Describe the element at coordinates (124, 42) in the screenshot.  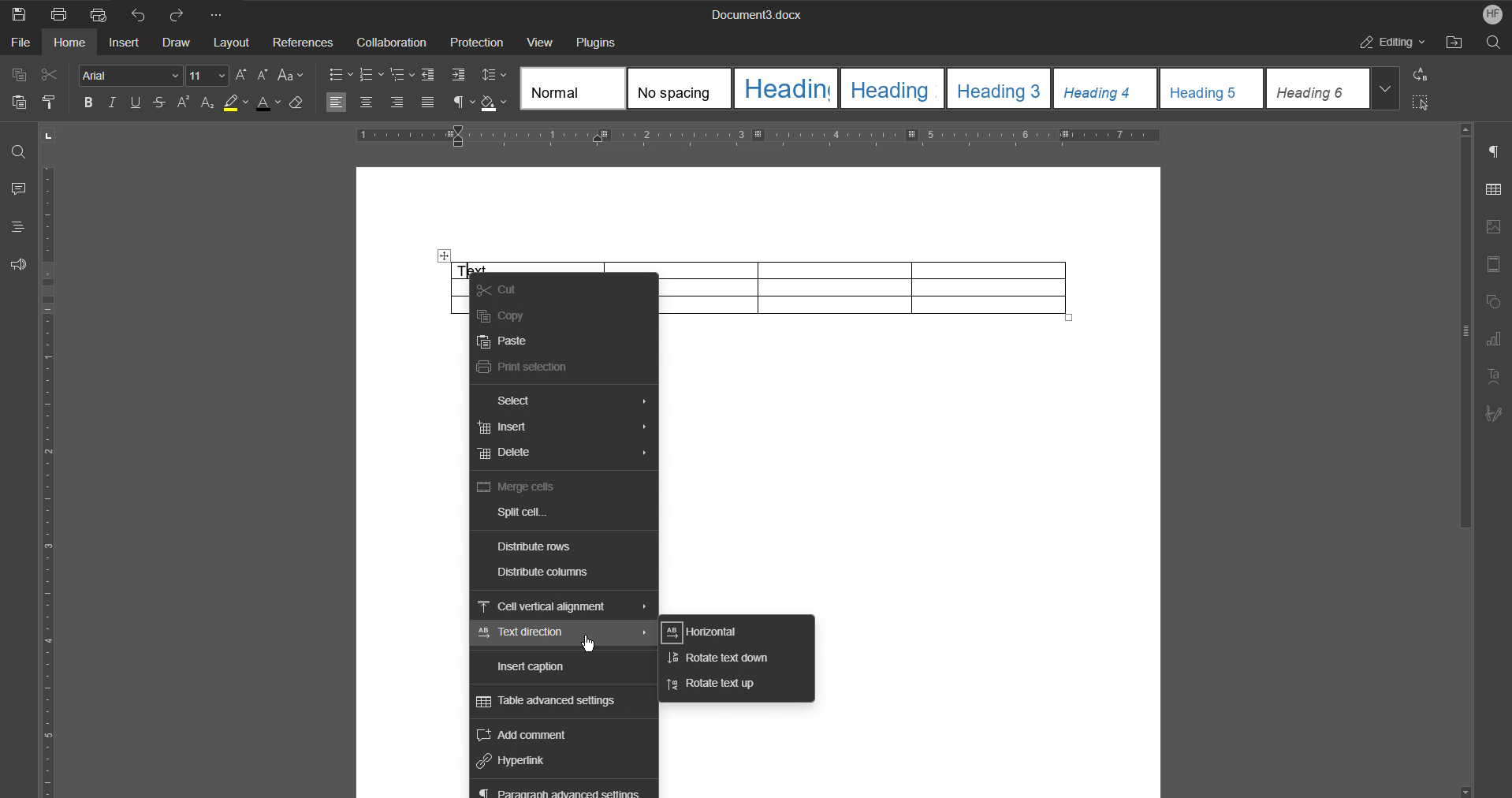
I see `Insert` at that location.